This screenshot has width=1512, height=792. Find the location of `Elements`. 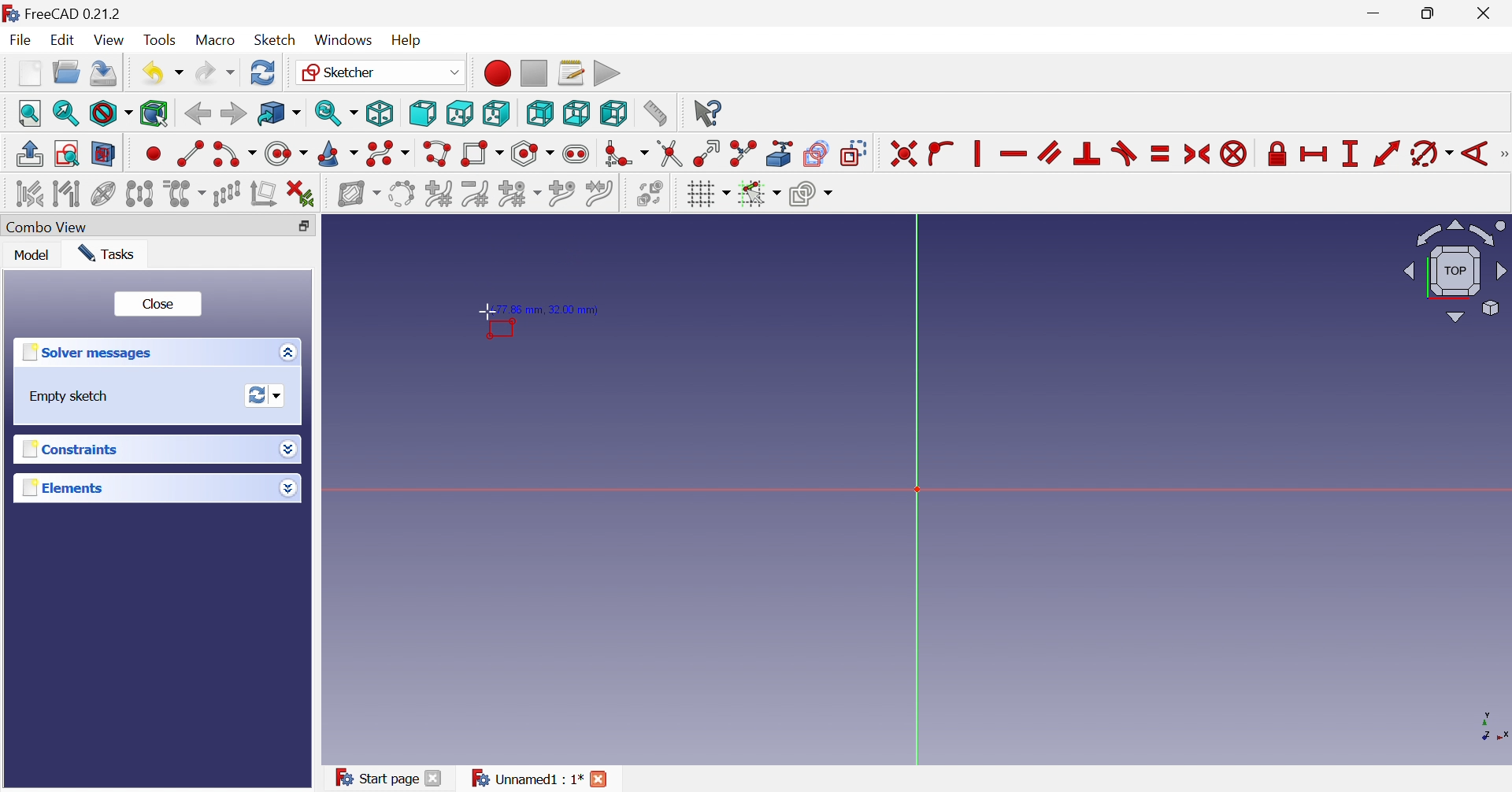

Elements is located at coordinates (62, 488).